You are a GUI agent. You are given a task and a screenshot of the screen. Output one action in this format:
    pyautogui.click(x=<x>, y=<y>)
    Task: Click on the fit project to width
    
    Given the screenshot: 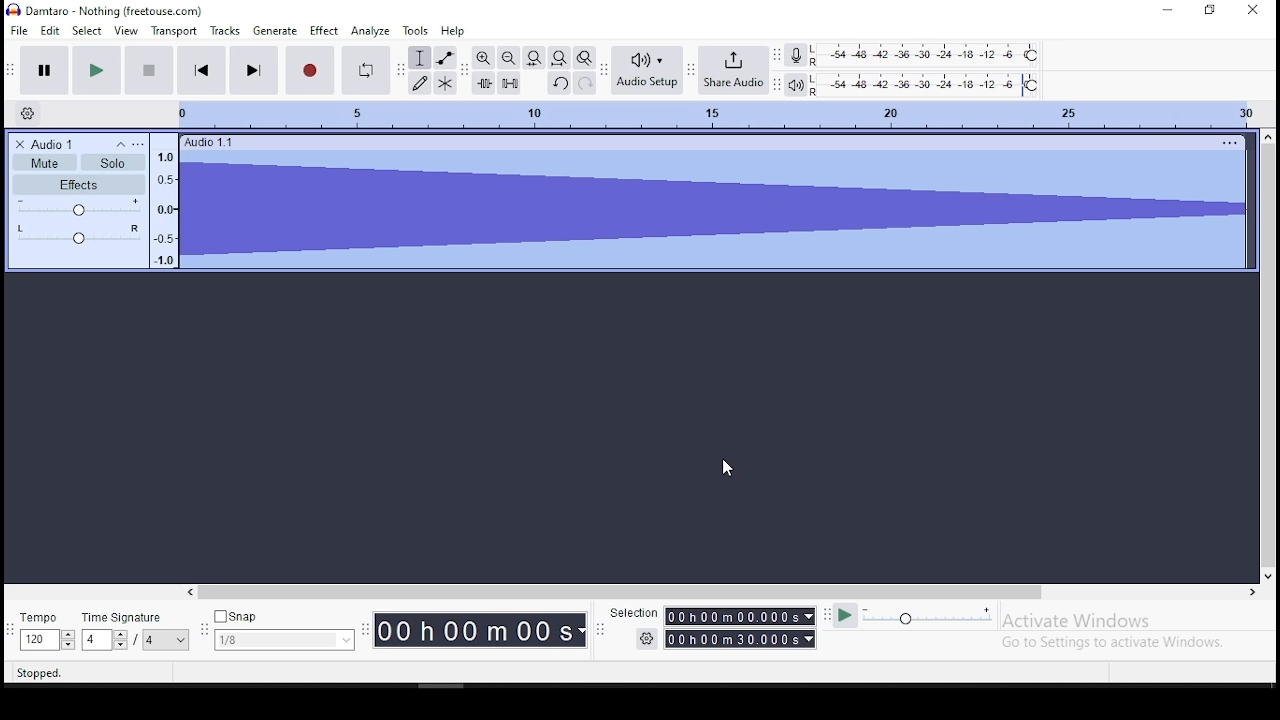 What is the action you would take?
    pyautogui.click(x=534, y=57)
    